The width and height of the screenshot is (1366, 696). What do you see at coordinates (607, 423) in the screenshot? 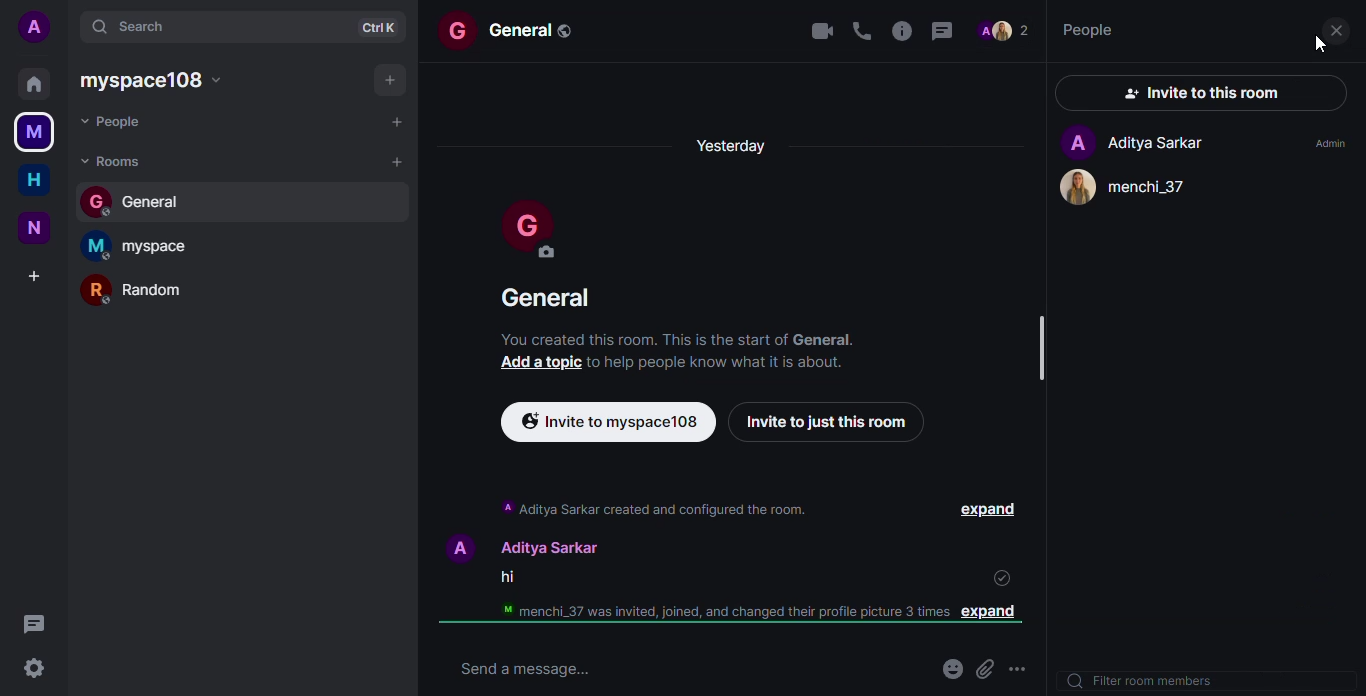
I see `invite to myspace108` at bounding box center [607, 423].